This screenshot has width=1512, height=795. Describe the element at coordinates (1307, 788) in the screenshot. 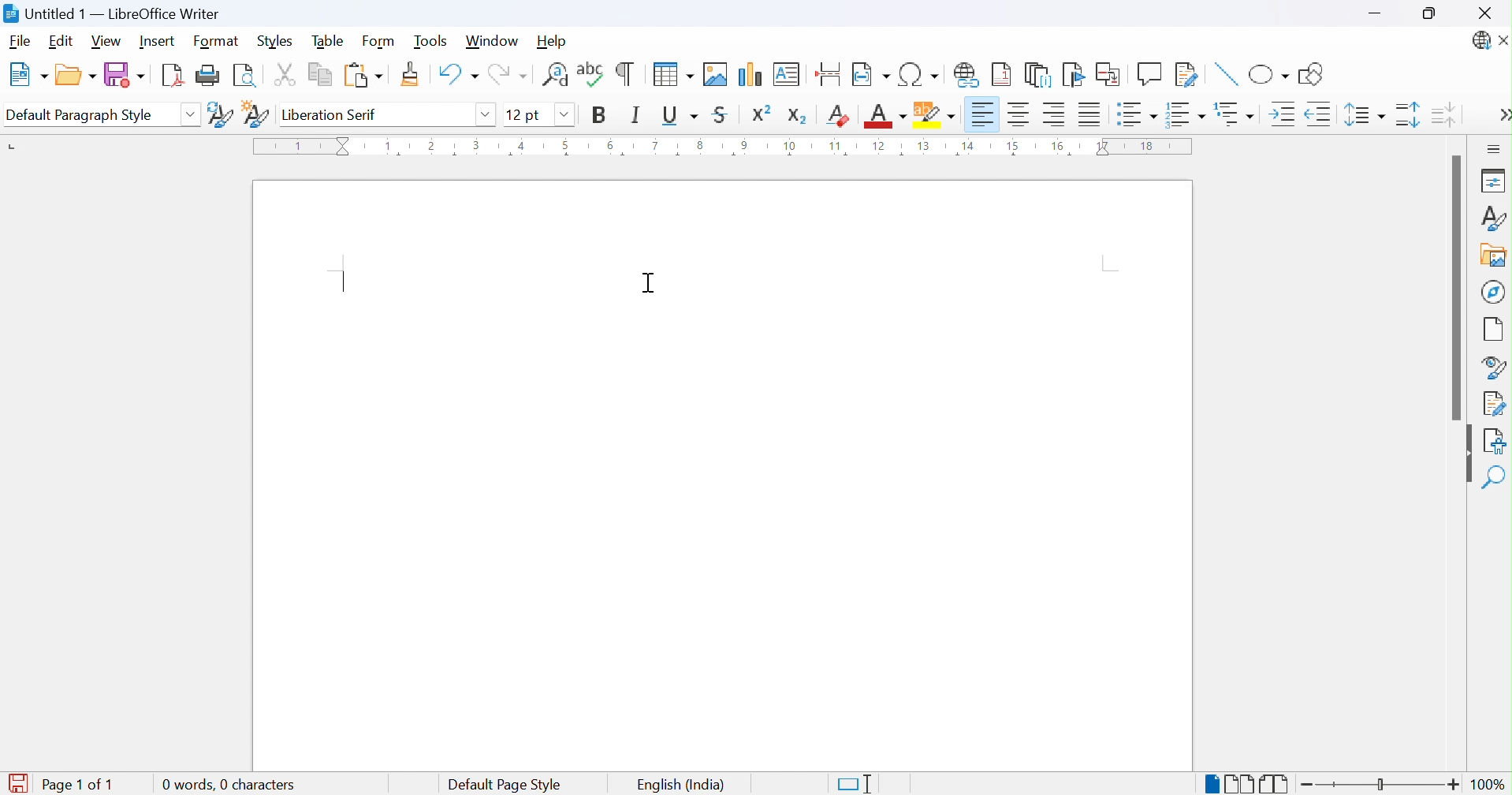

I see `Zoom out` at that location.